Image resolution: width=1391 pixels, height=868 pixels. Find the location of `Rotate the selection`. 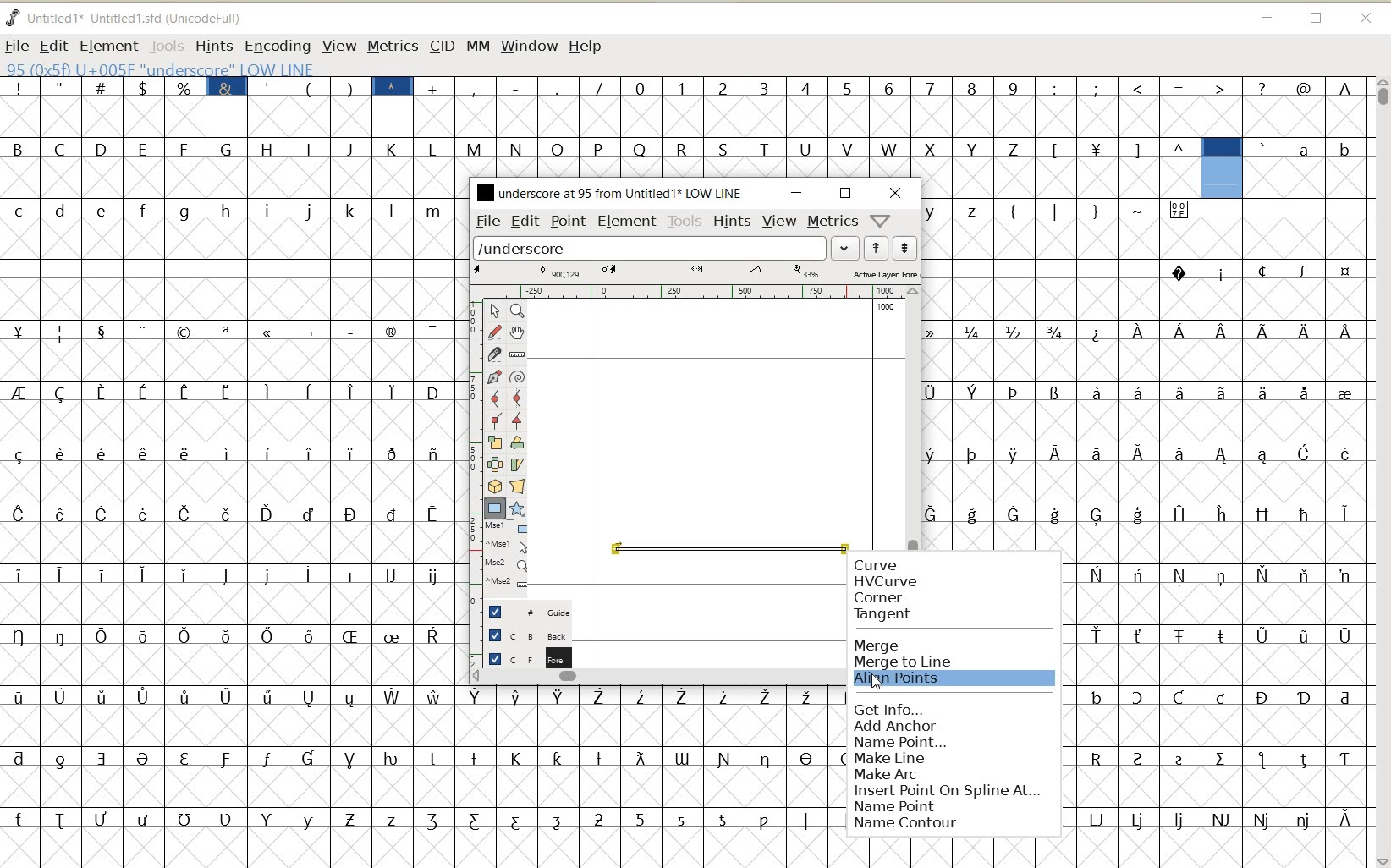

Rotate the selection is located at coordinates (518, 442).